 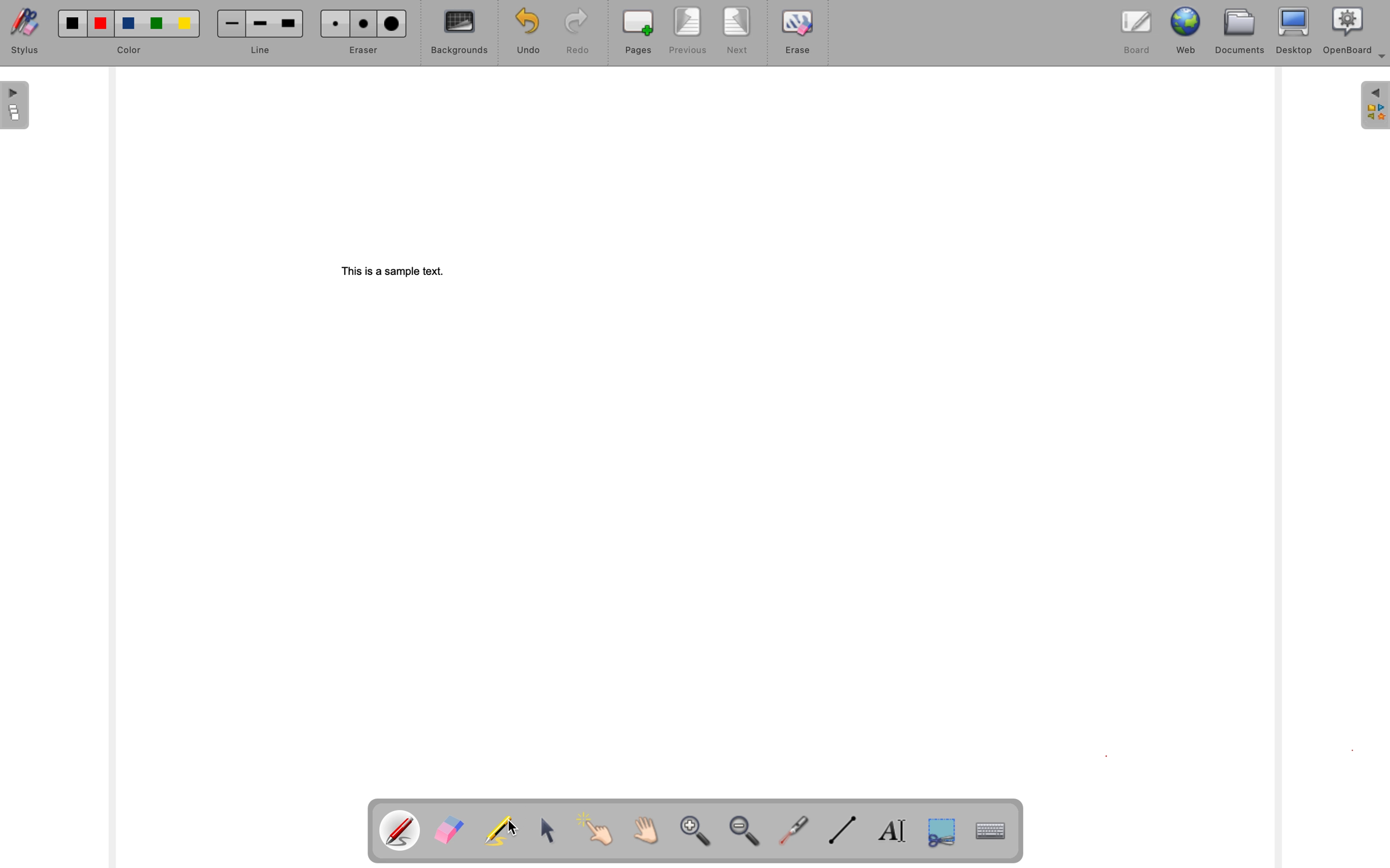 I want to click on cursor, so click(x=511, y=828).